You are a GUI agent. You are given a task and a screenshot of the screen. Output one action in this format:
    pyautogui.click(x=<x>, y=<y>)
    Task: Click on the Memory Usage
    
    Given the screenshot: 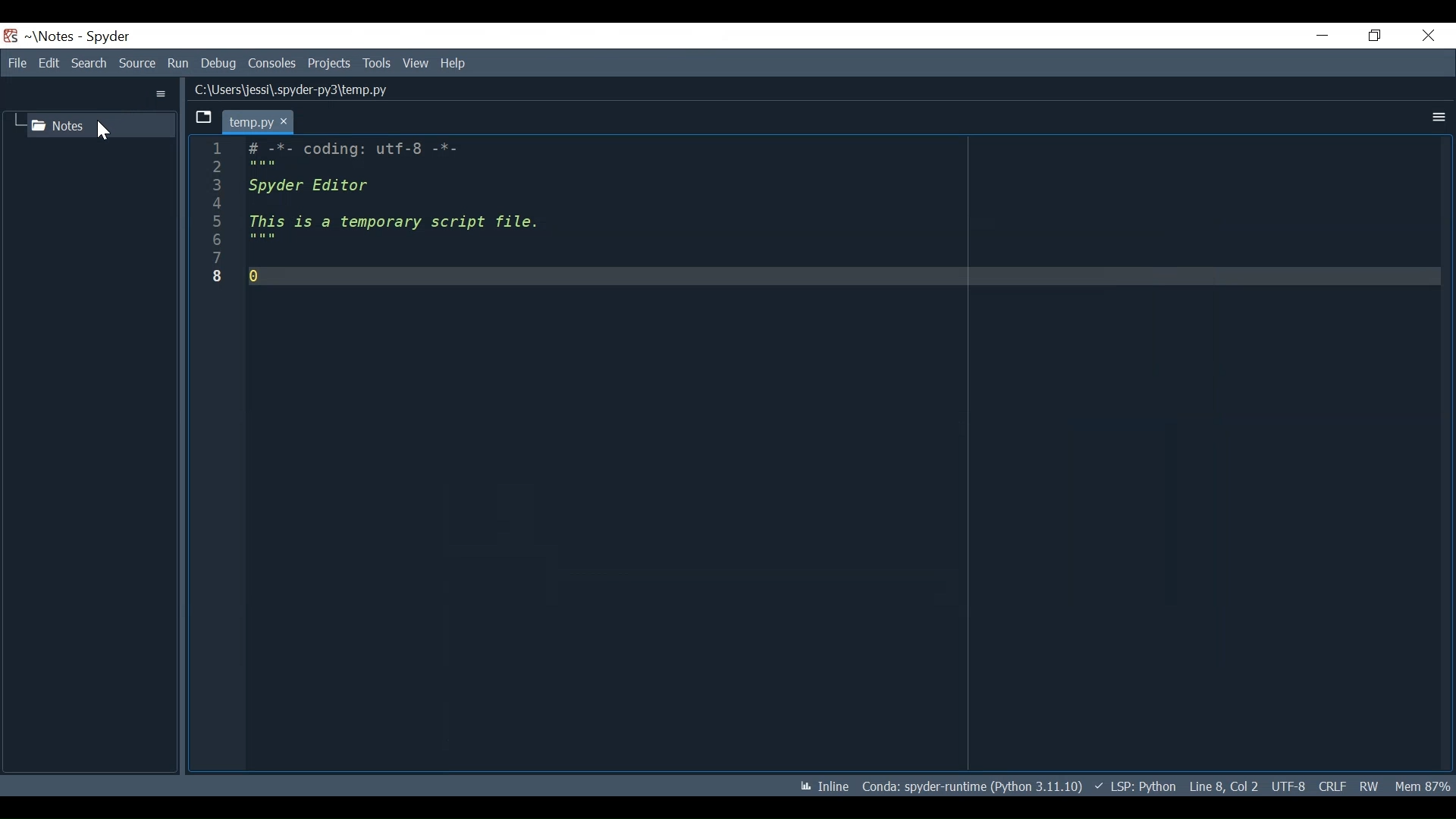 What is the action you would take?
    pyautogui.click(x=1419, y=784)
    